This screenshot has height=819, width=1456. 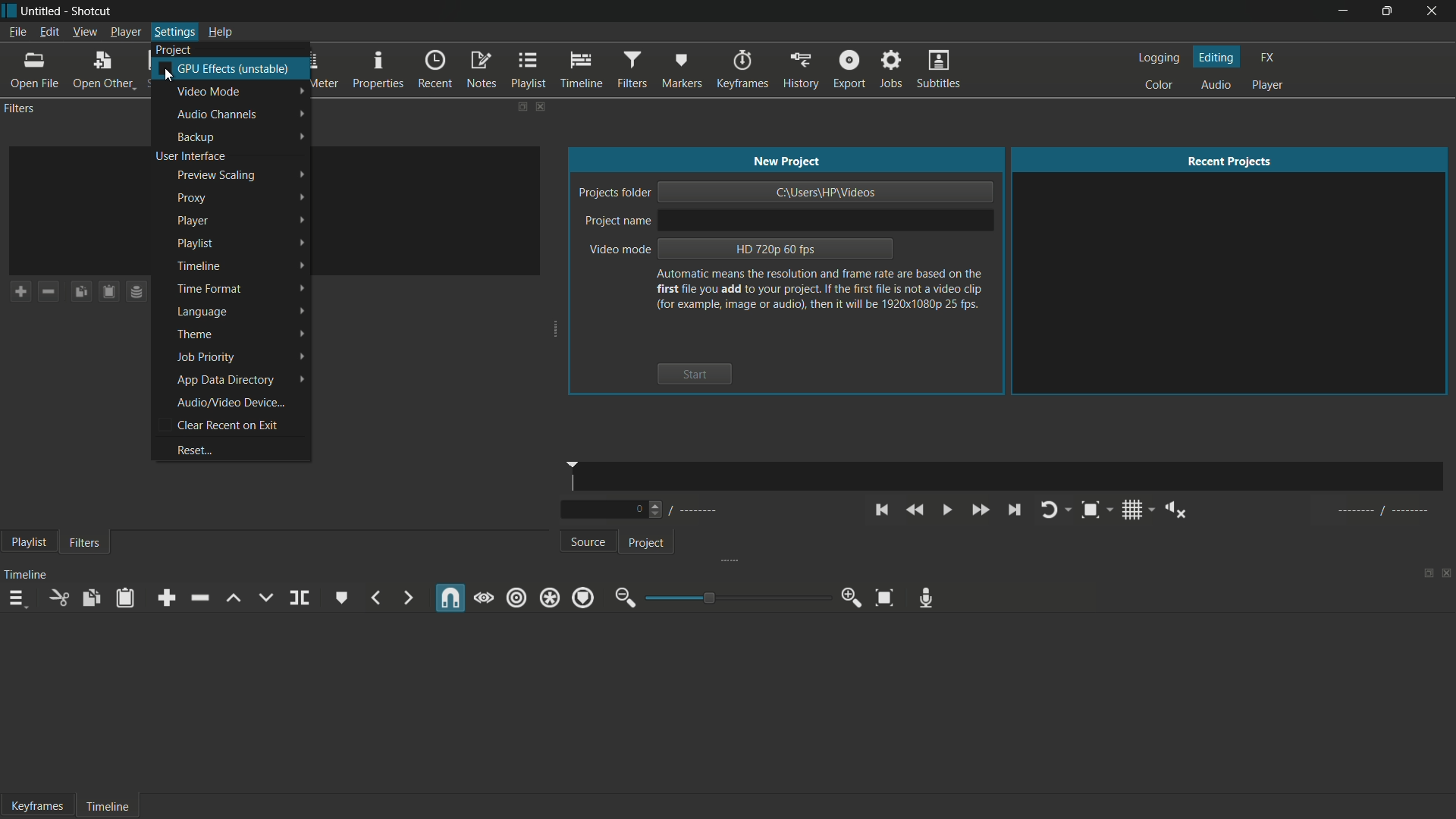 I want to click on ripple, so click(x=516, y=598).